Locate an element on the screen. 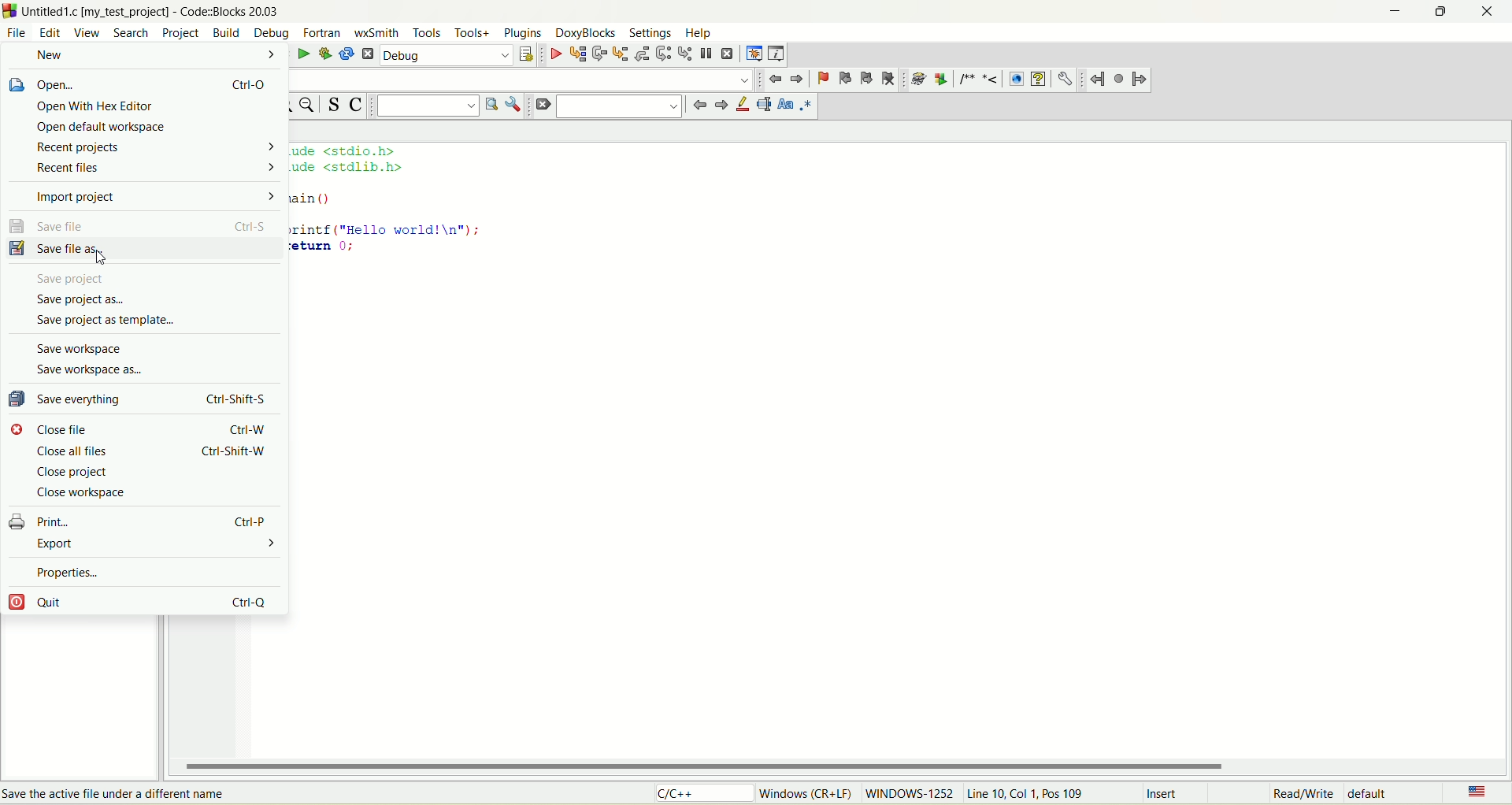 The image size is (1512, 805). maximize is located at coordinates (1436, 16).